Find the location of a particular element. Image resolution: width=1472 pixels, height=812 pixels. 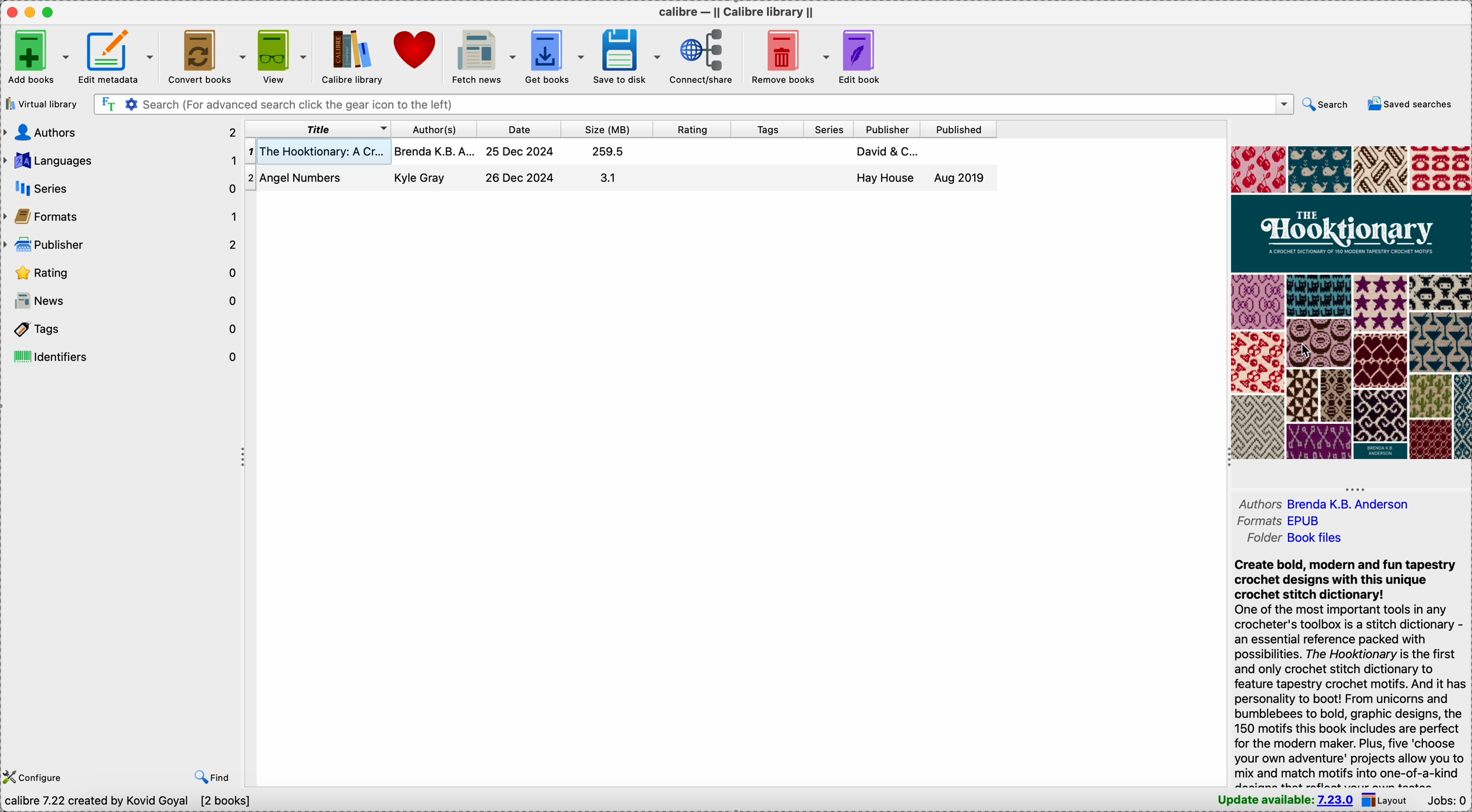

edit metadata is located at coordinates (118, 56).